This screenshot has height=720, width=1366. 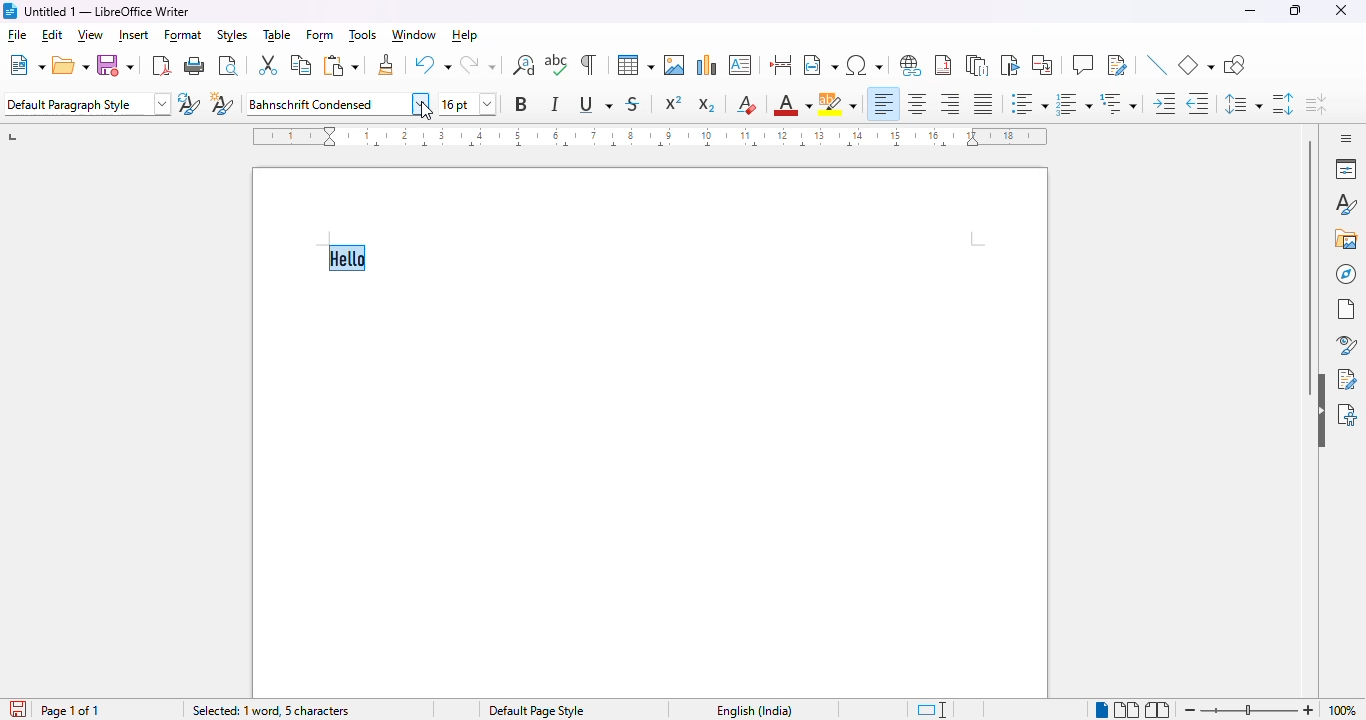 I want to click on basic shapes, so click(x=1196, y=64).